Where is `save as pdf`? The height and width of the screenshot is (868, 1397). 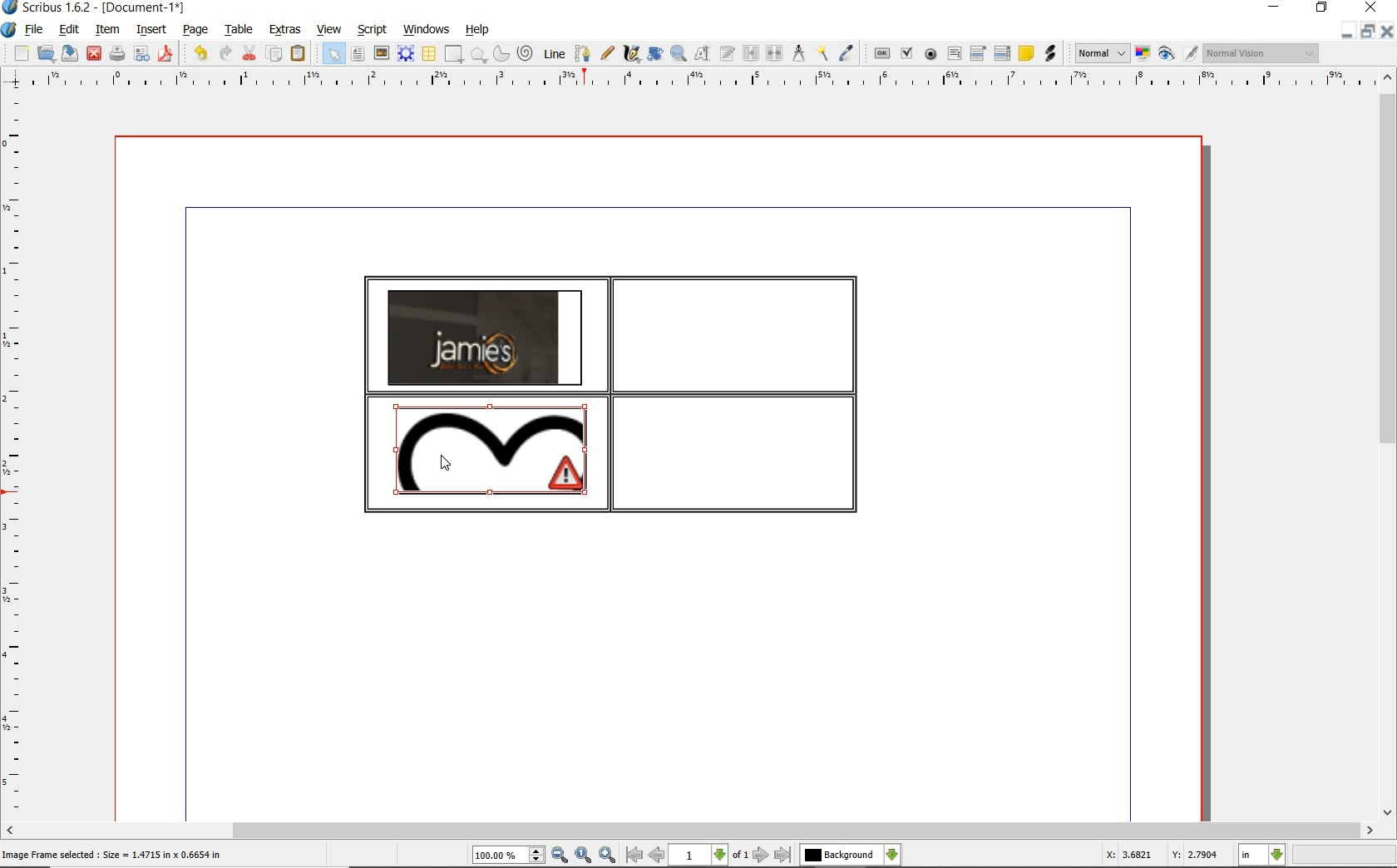 save as pdf is located at coordinates (165, 53).